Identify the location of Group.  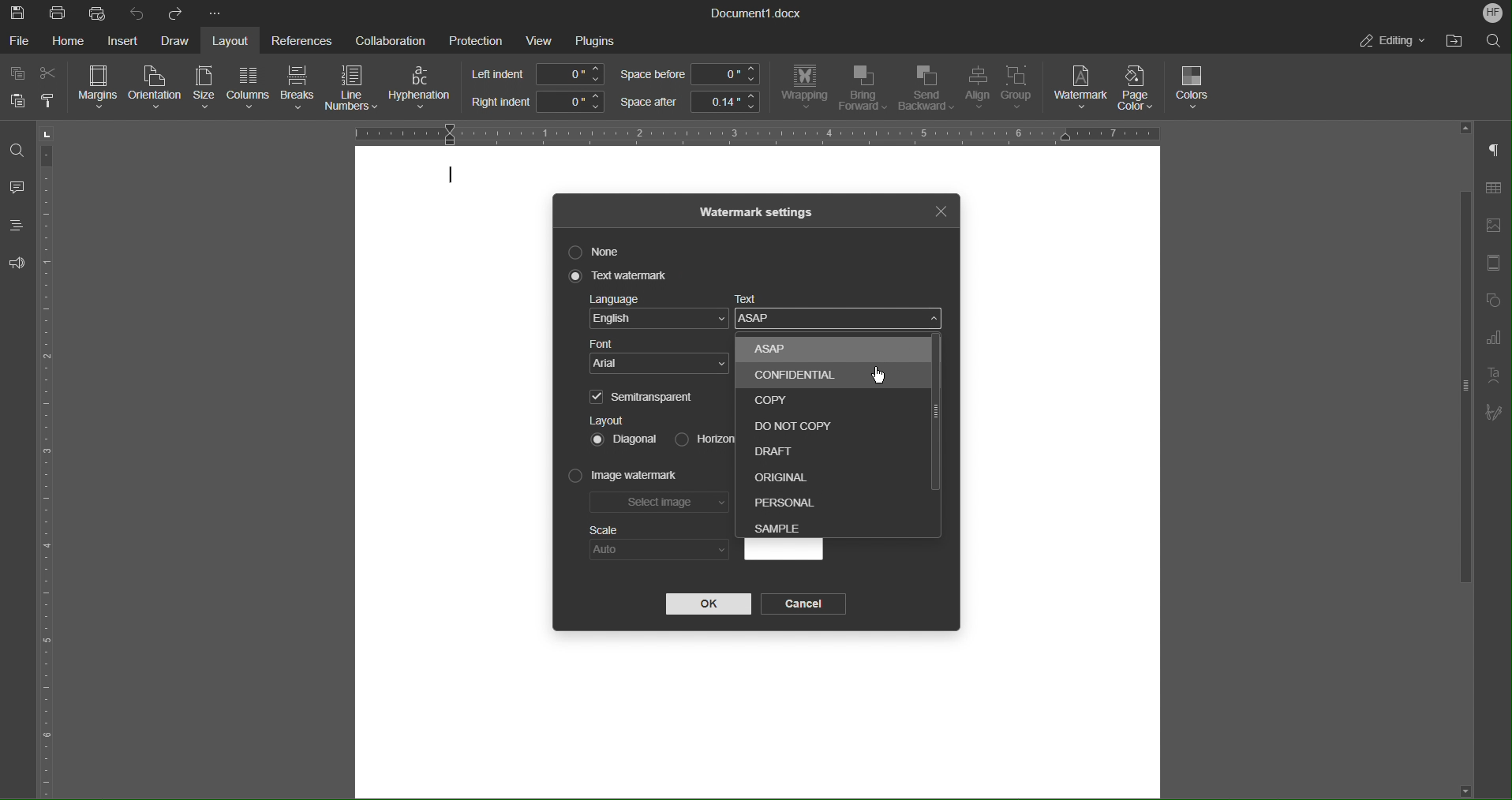
(1022, 90).